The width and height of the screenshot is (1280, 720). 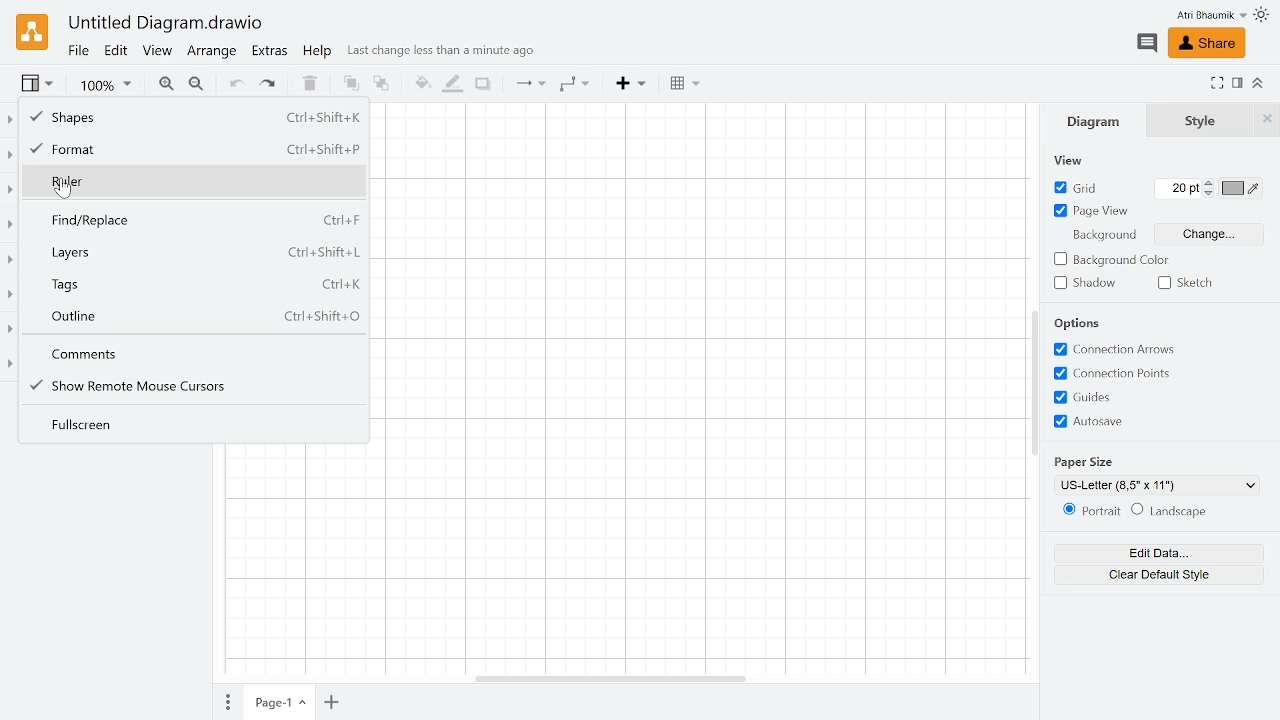 I want to click on File, so click(x=78, y=51).